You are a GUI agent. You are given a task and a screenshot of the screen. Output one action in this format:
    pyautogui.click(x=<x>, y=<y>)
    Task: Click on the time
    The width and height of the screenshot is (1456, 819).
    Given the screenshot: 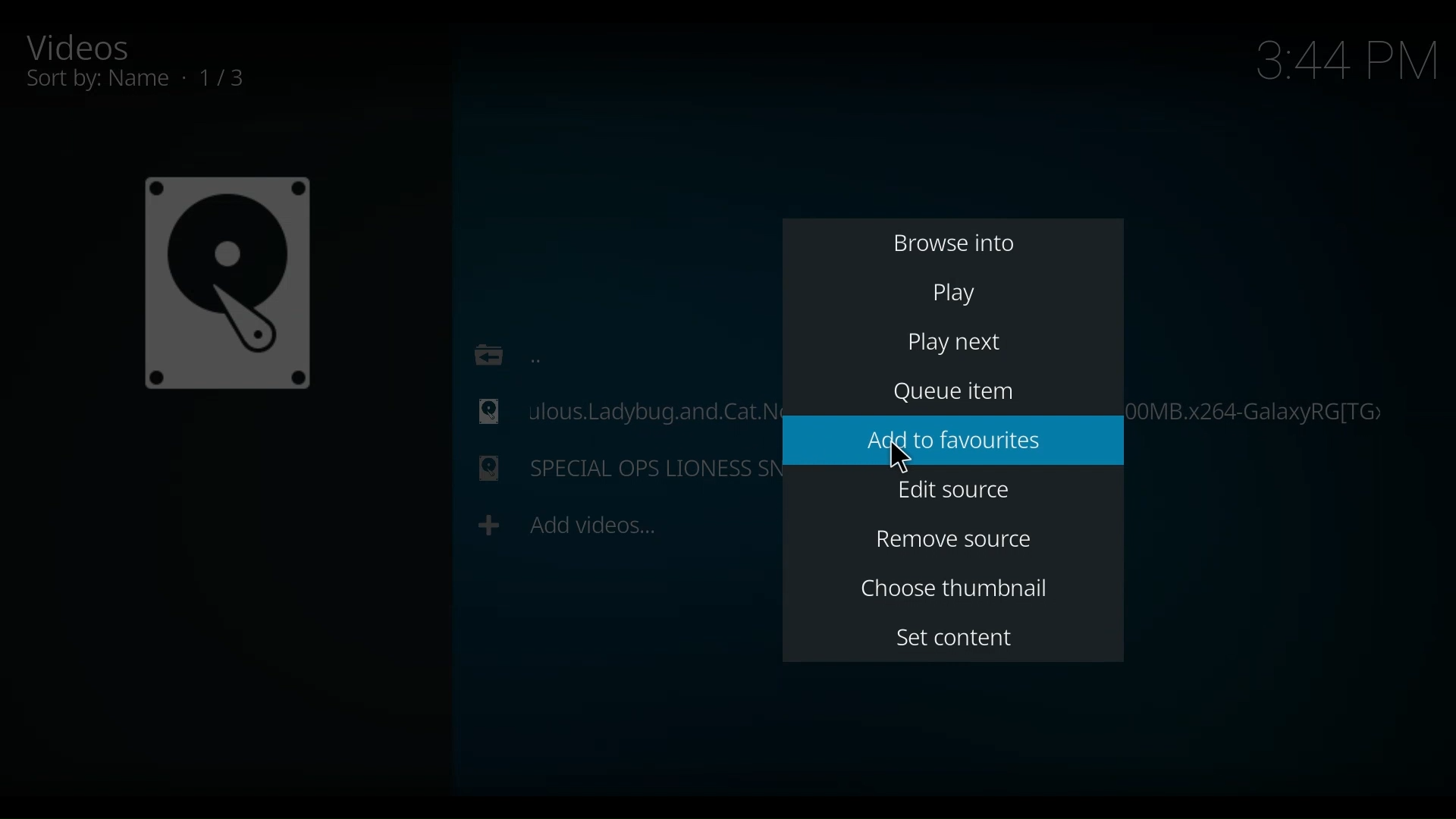 What is the action you would take?
    pyautogui.click(x=1348, y=63)
    